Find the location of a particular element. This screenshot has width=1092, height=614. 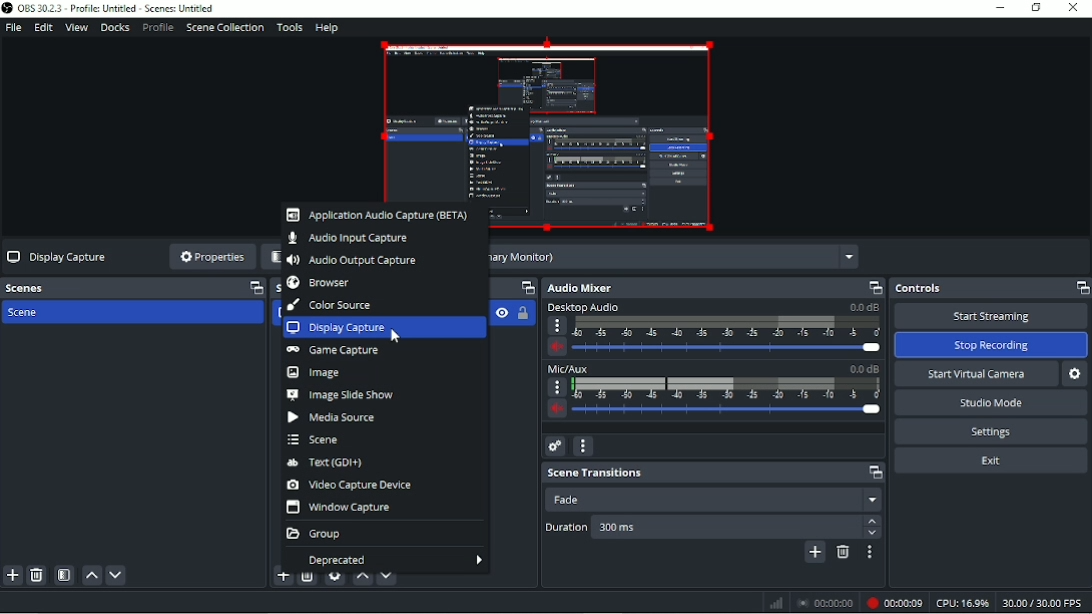

Duration 300 ms. is located at coordinates (729, 528).